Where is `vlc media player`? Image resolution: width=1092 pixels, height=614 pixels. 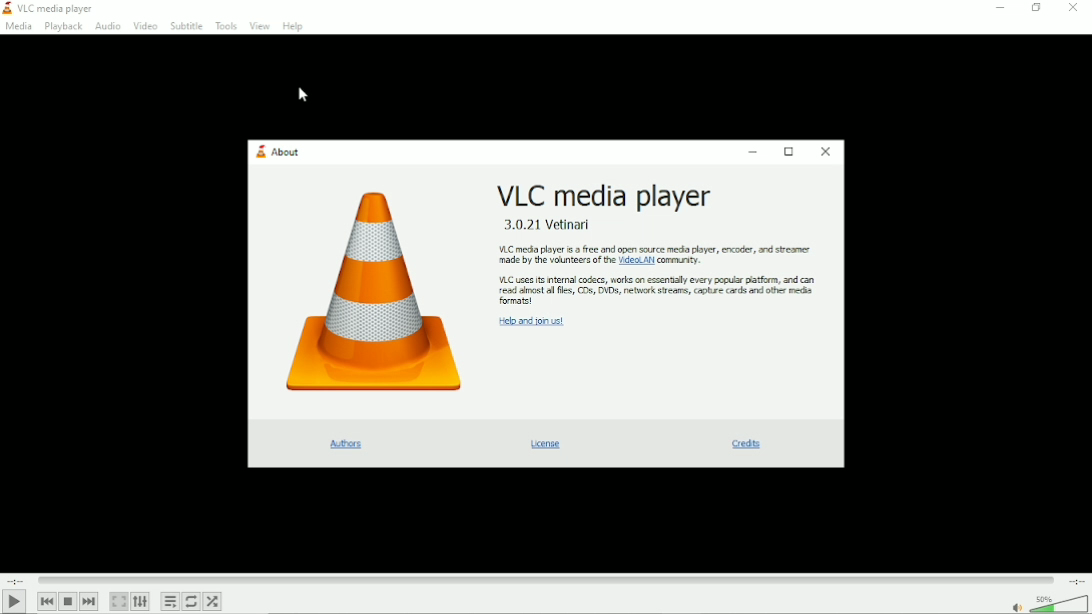
vlc media player is located at coordinates (56, 9).